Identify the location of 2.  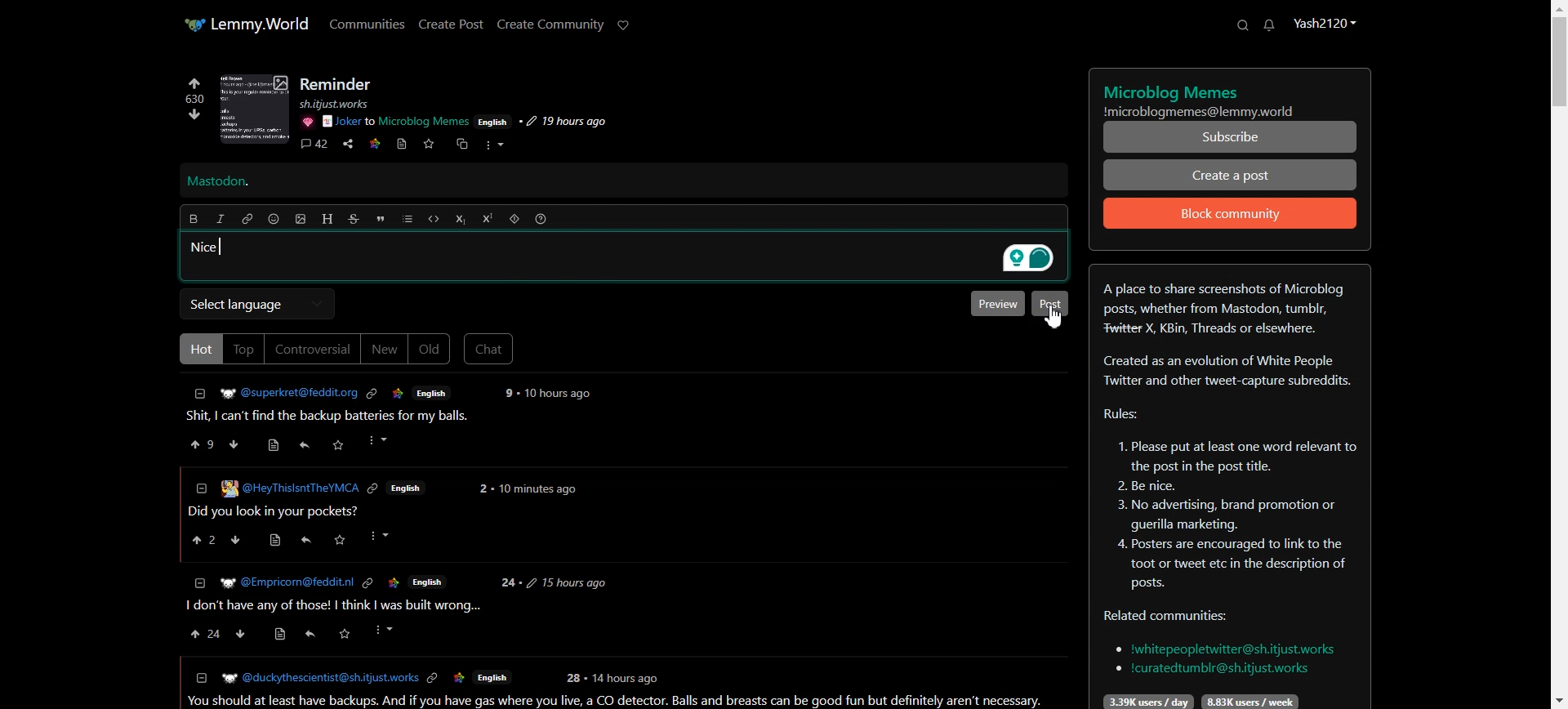
(482, 488).